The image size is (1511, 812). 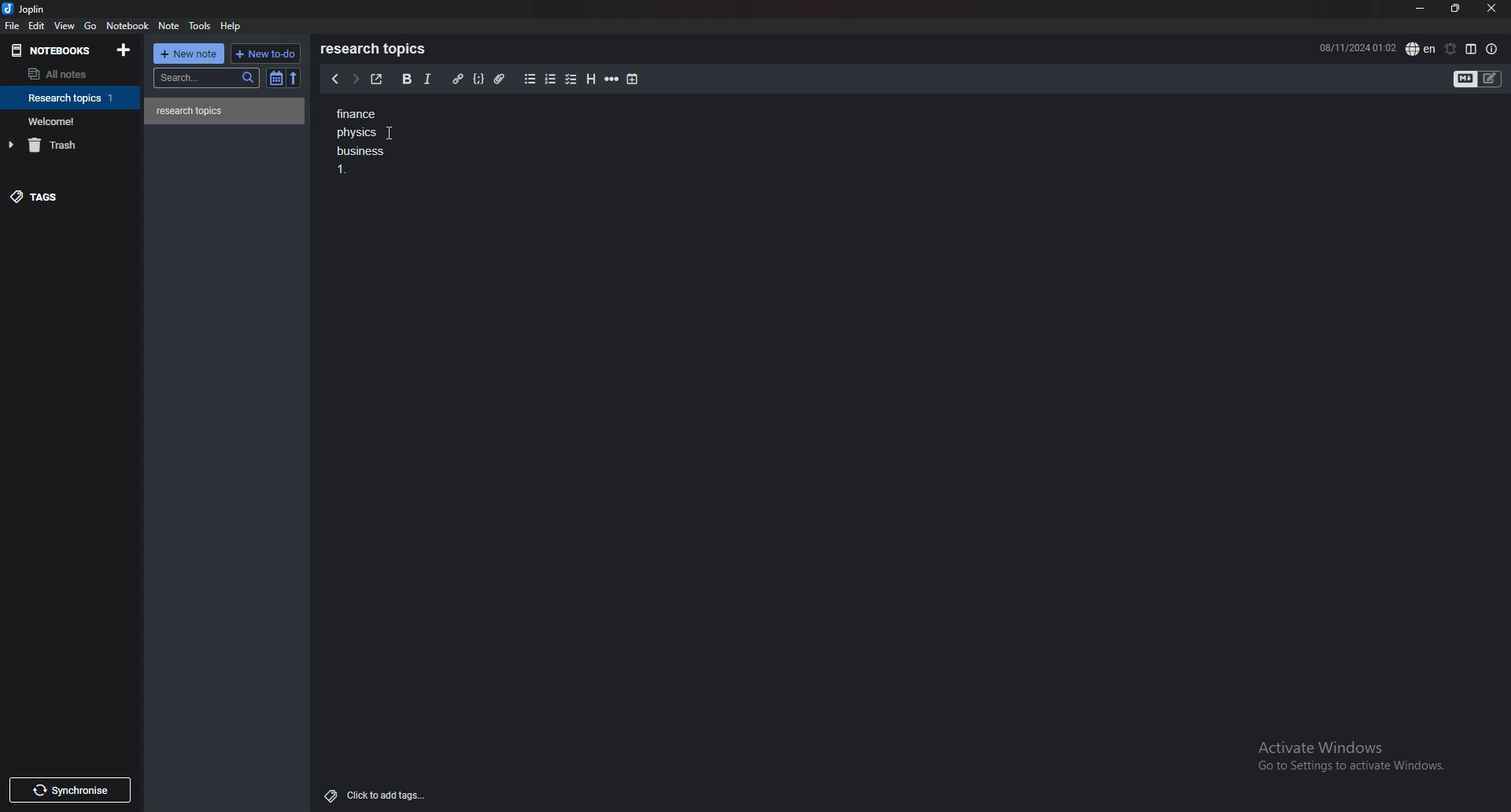 What do you see at coordinates (1420, 48) in the screenshot?
I see `spell check` at bounding box center [1420, 48].